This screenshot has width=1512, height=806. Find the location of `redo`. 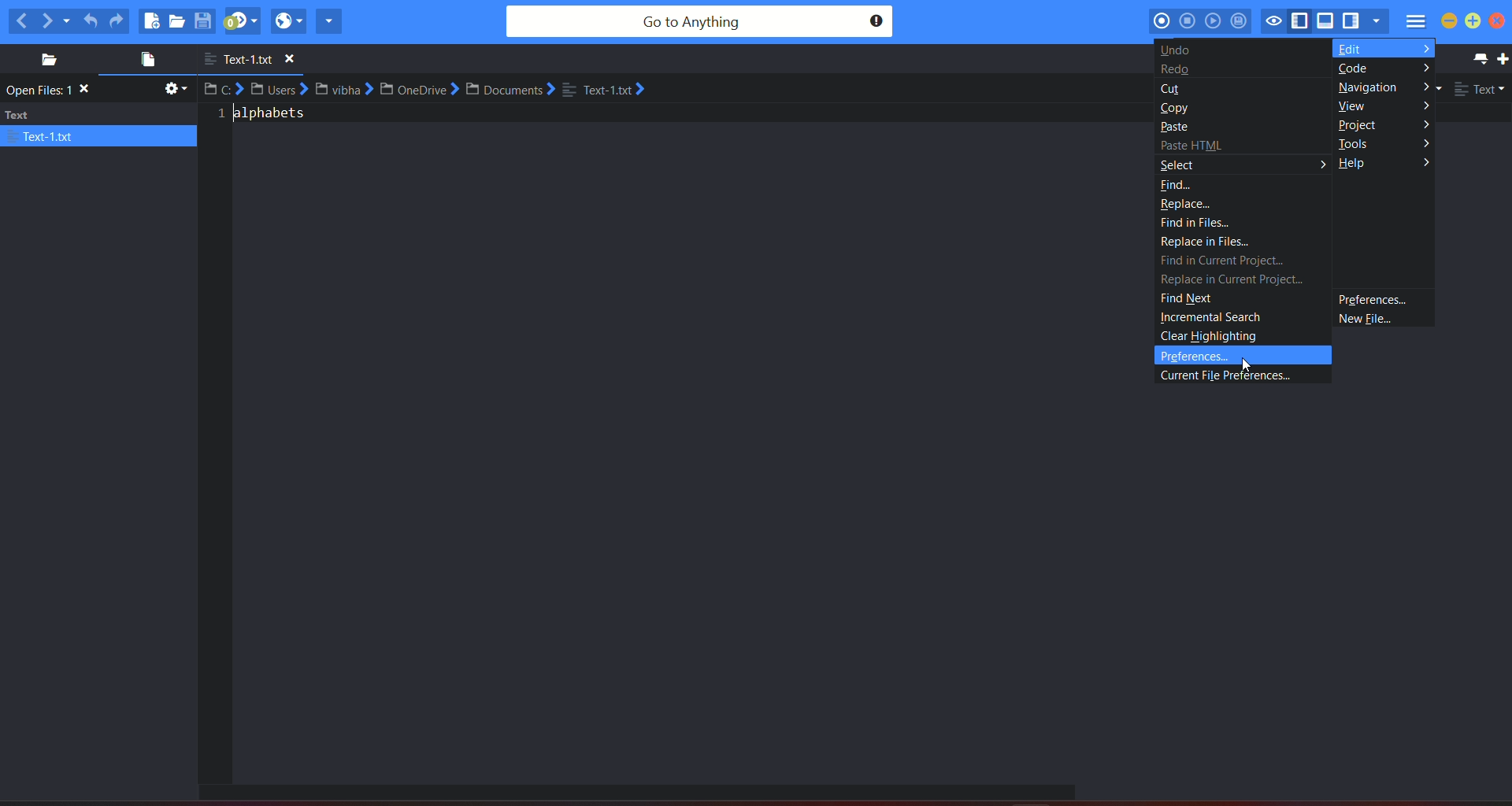

redo is located at coordinates (117, 20).